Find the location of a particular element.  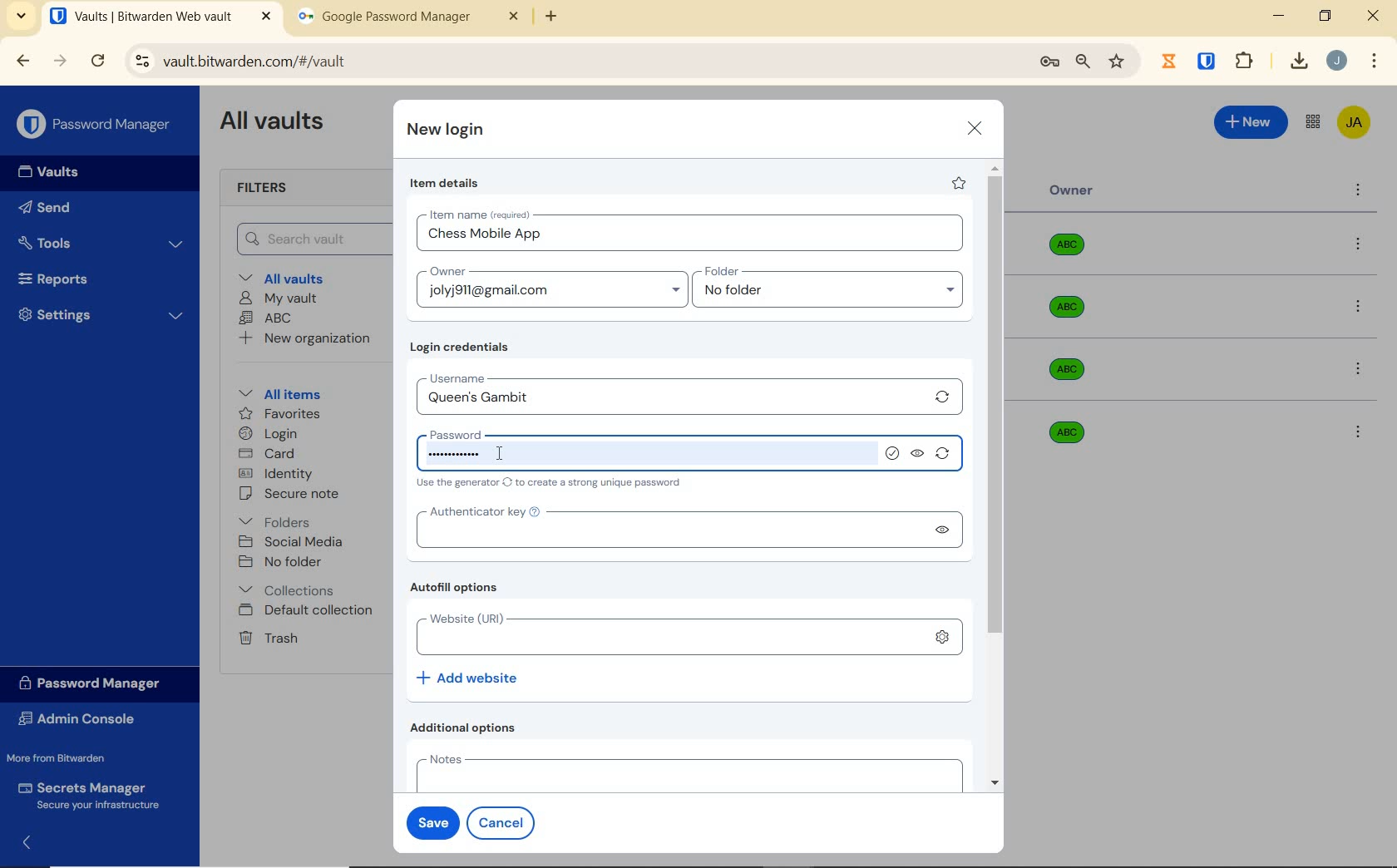

add new tab is located at coordinates (564, 21).